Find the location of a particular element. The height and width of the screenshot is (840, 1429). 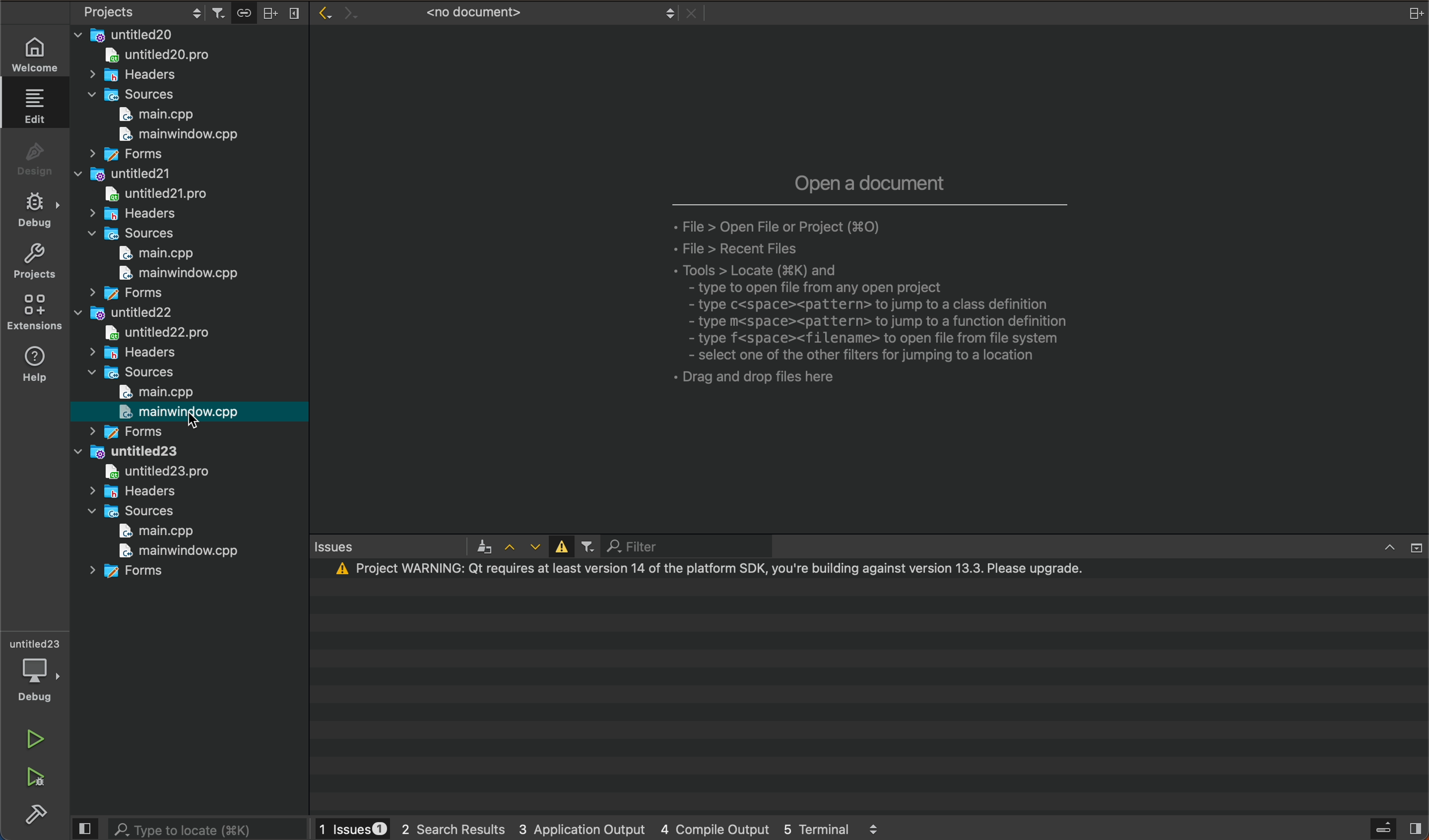

sources is located at coordinates (136, 95).